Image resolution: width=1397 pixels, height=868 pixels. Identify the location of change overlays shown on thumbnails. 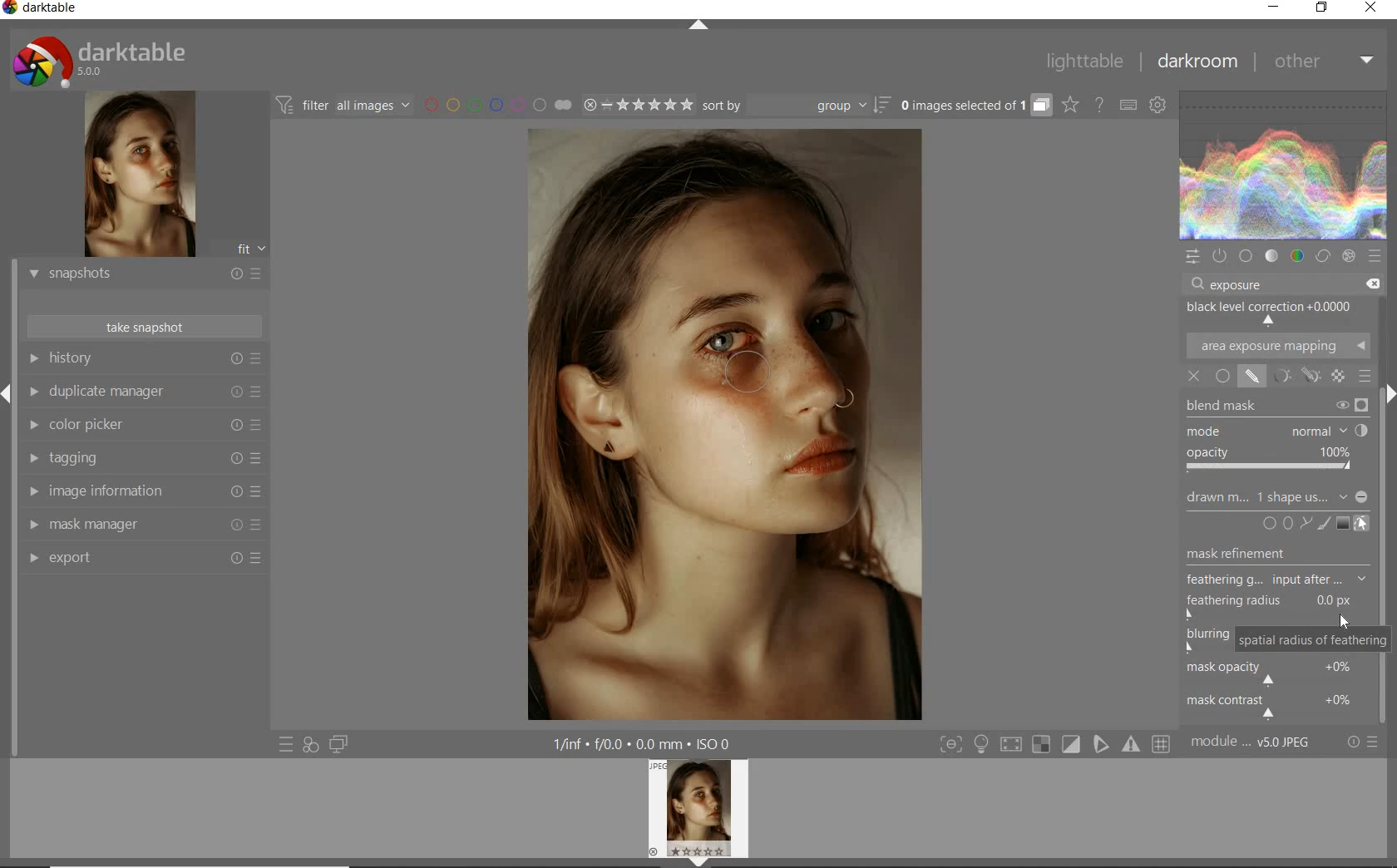
(1069, 106).